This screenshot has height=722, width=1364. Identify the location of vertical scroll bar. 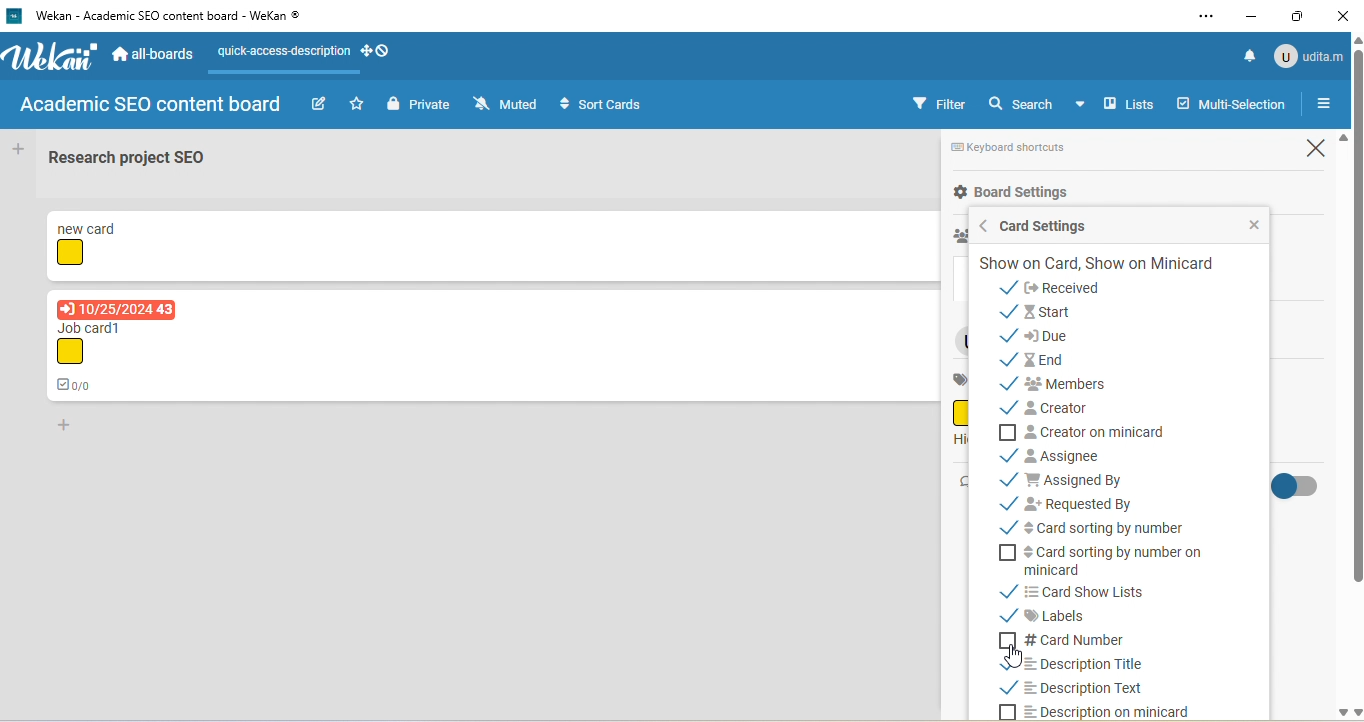
(1355, 322).